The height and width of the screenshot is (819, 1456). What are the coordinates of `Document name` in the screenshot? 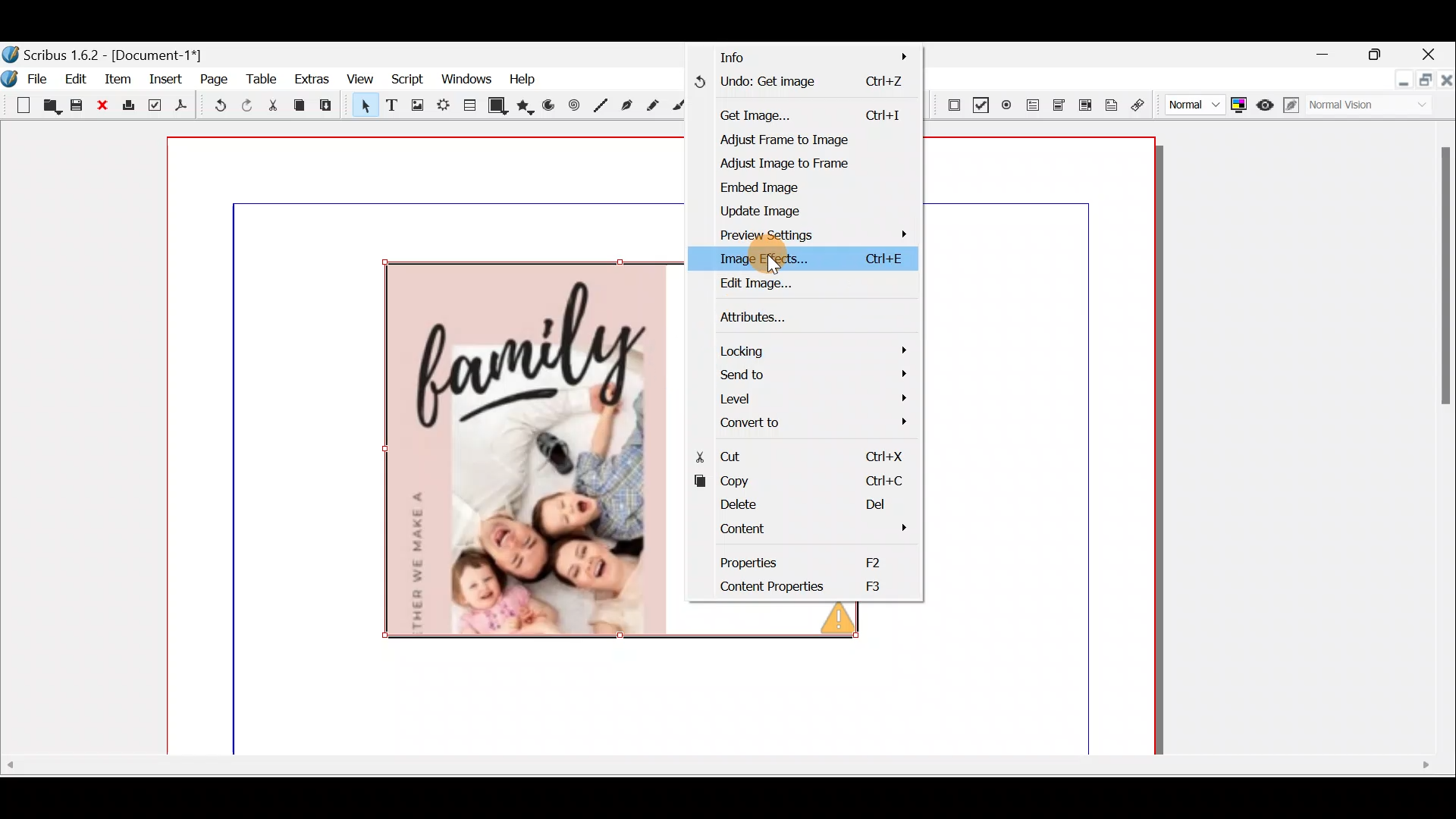 It's located at (104, 53).